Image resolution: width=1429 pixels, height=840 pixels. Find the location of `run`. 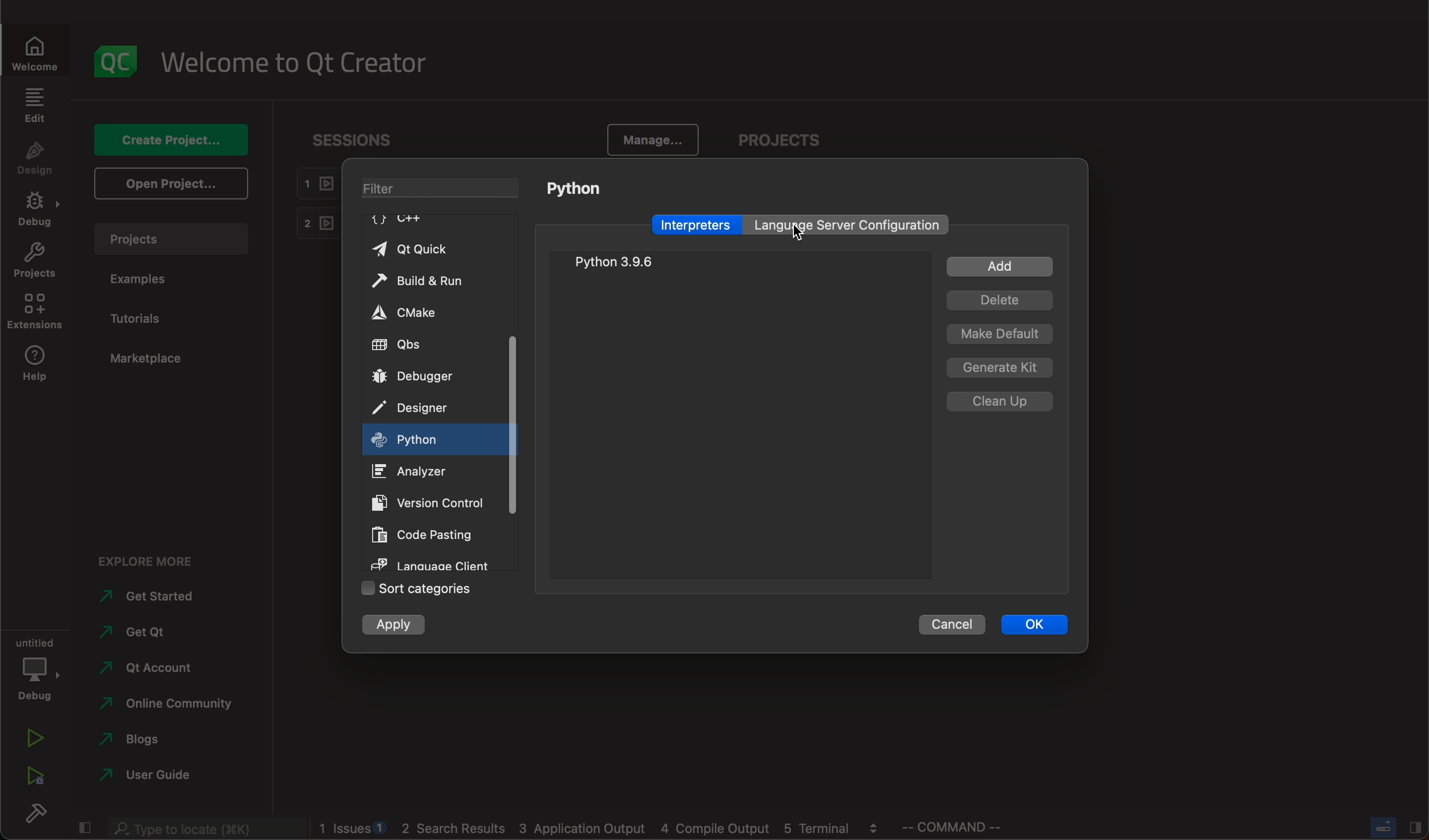

run is located at coordinates (37, 740).